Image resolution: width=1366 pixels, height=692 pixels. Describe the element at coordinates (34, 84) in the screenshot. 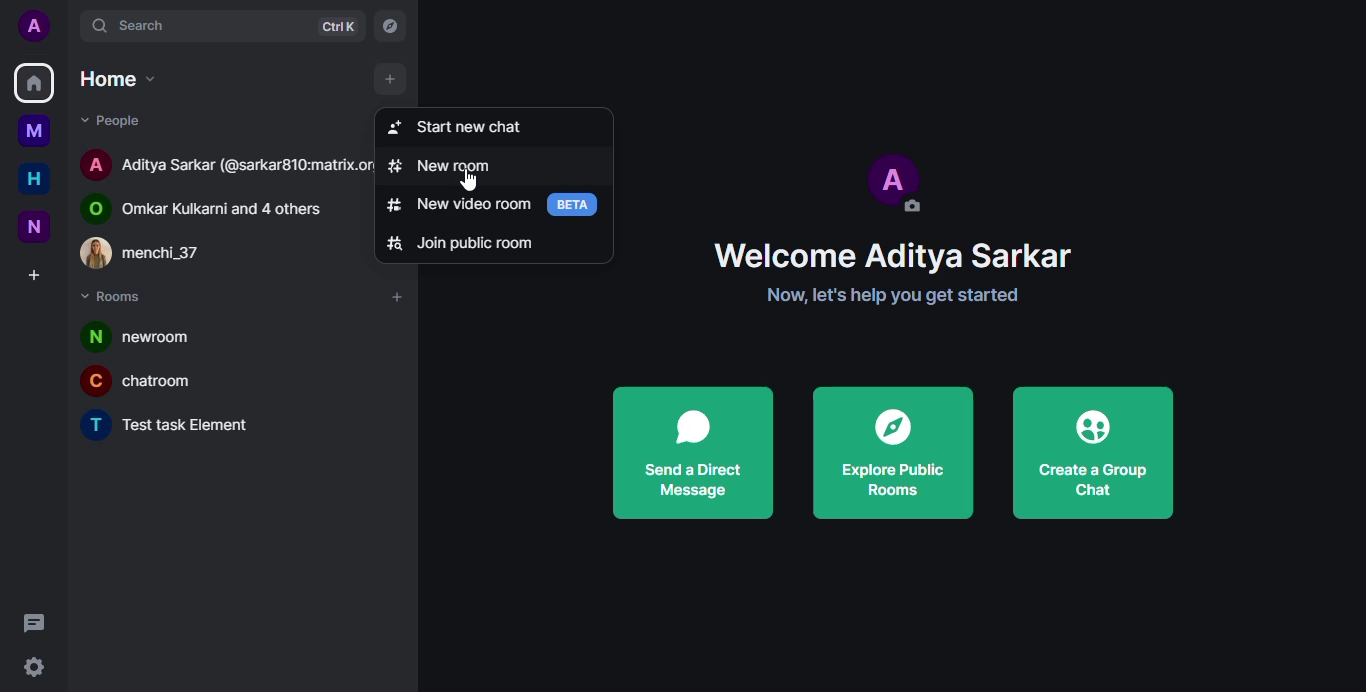

I see `home` at that location.